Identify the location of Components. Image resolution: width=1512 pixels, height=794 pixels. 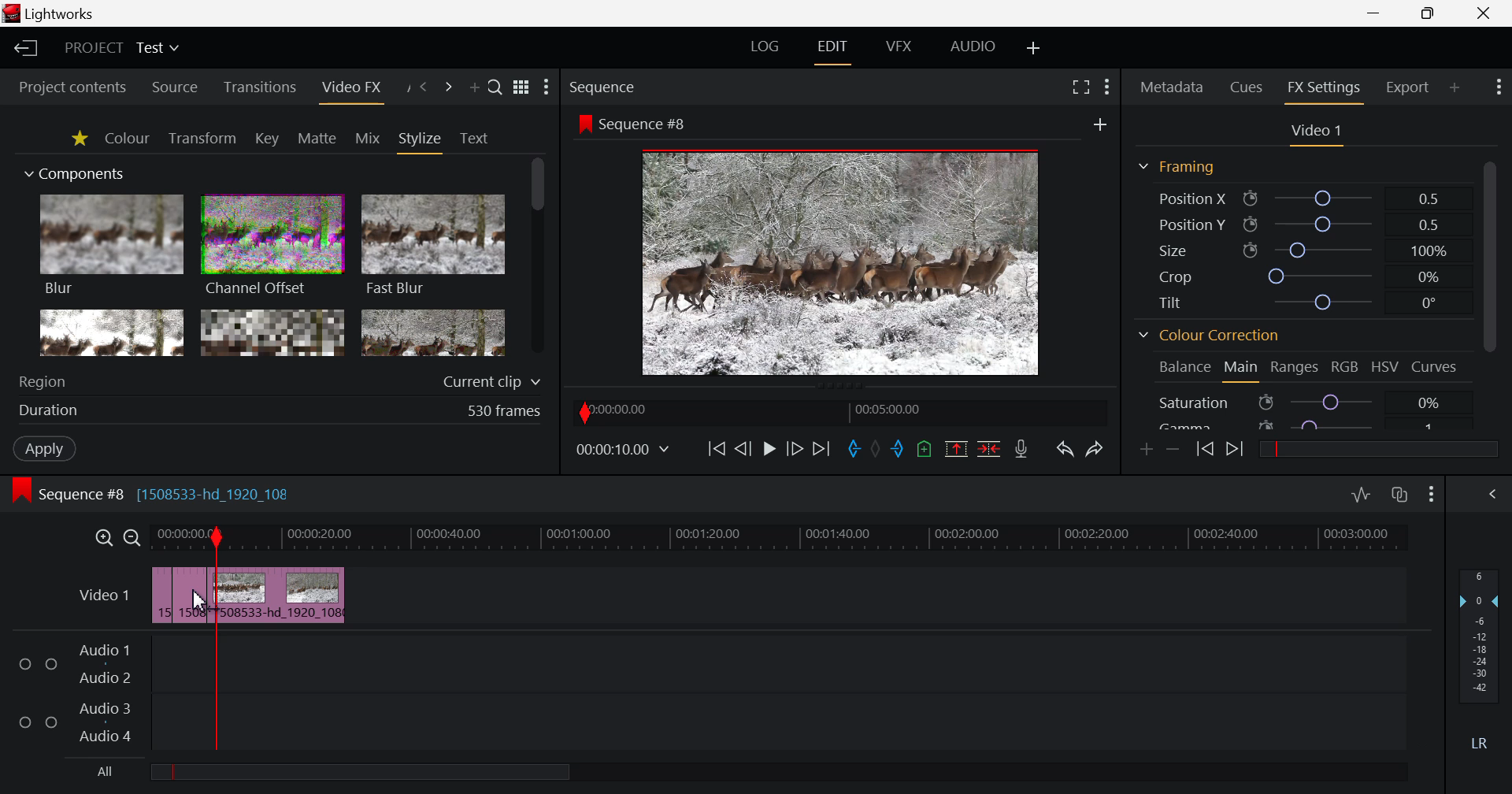
(76, 175).